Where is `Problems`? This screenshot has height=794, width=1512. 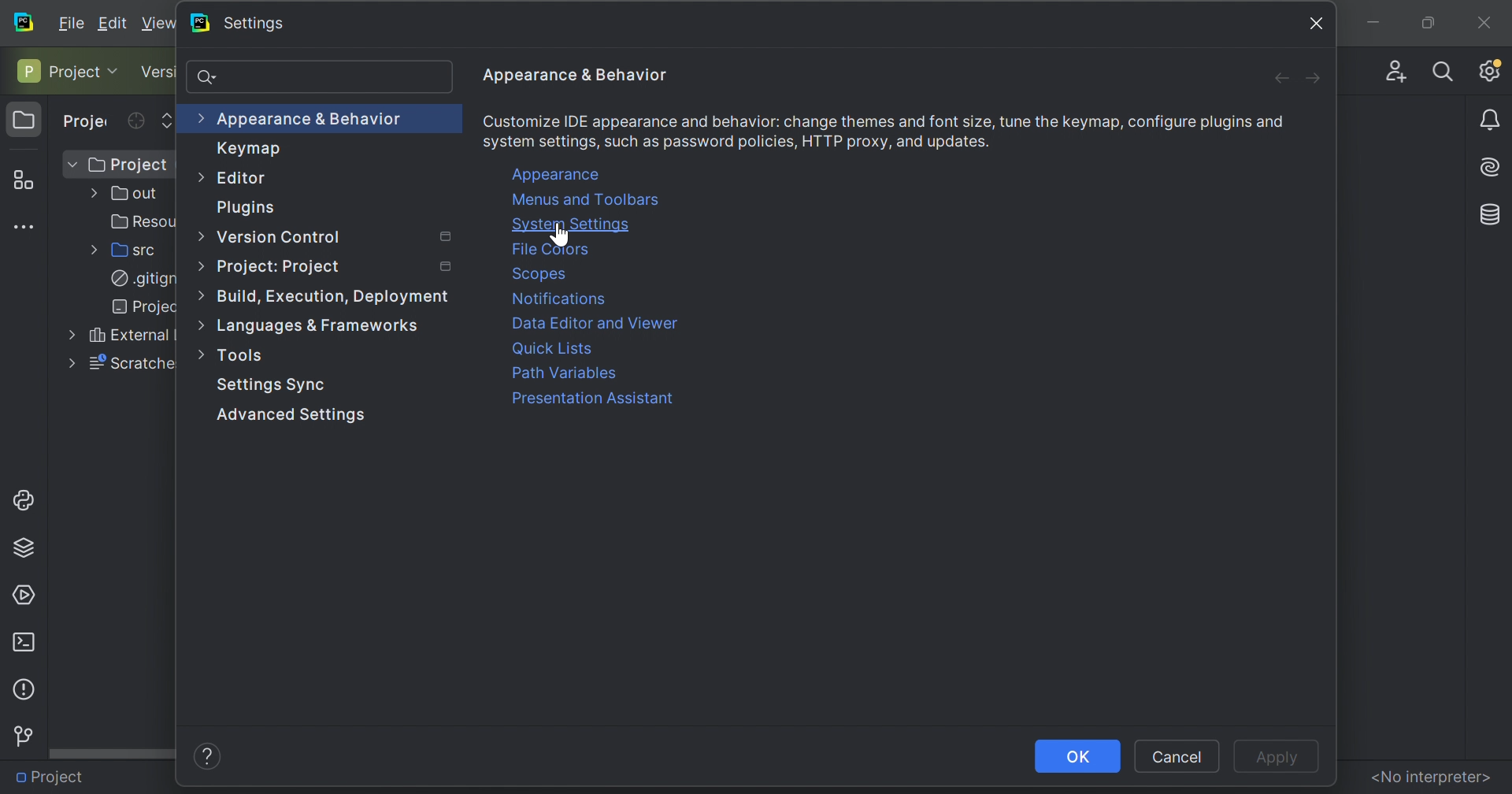
Problems is located at coordinates (22, 688).